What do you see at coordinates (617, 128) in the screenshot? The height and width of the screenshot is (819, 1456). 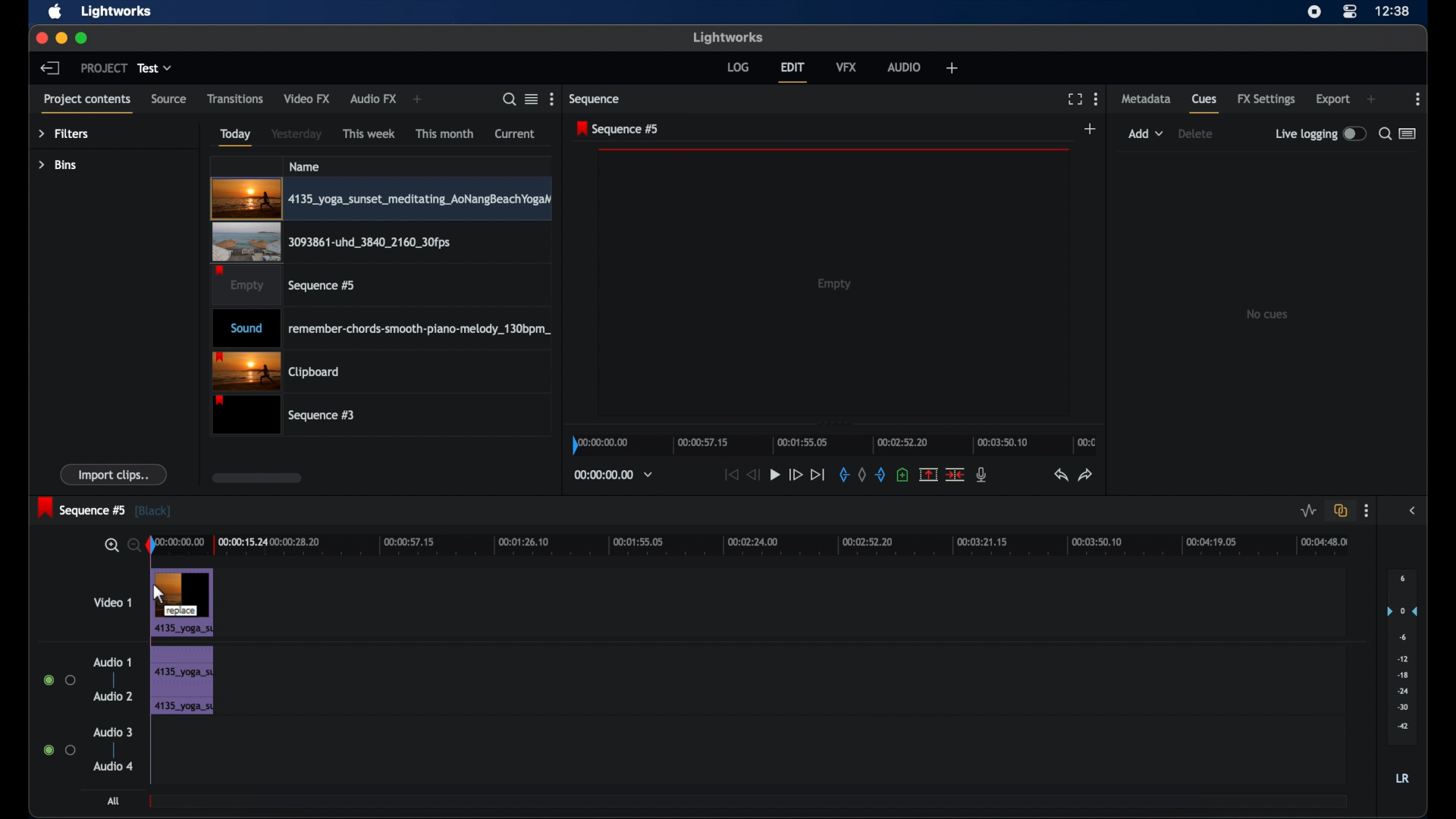 I see `sequence` at bounding box center [617, 128].